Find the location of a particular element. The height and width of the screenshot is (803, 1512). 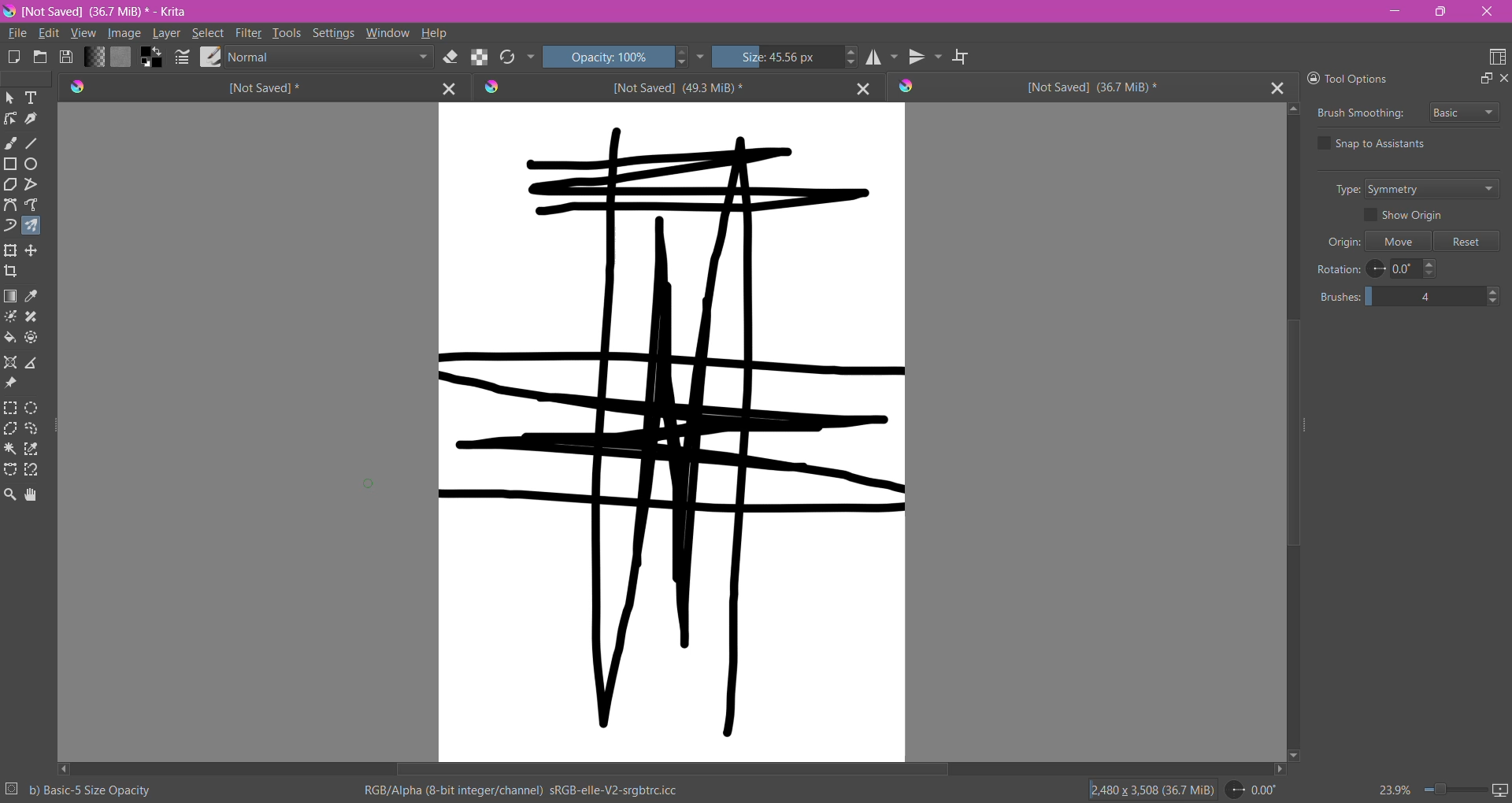

Minimize is located at coordinates (1394, 10).